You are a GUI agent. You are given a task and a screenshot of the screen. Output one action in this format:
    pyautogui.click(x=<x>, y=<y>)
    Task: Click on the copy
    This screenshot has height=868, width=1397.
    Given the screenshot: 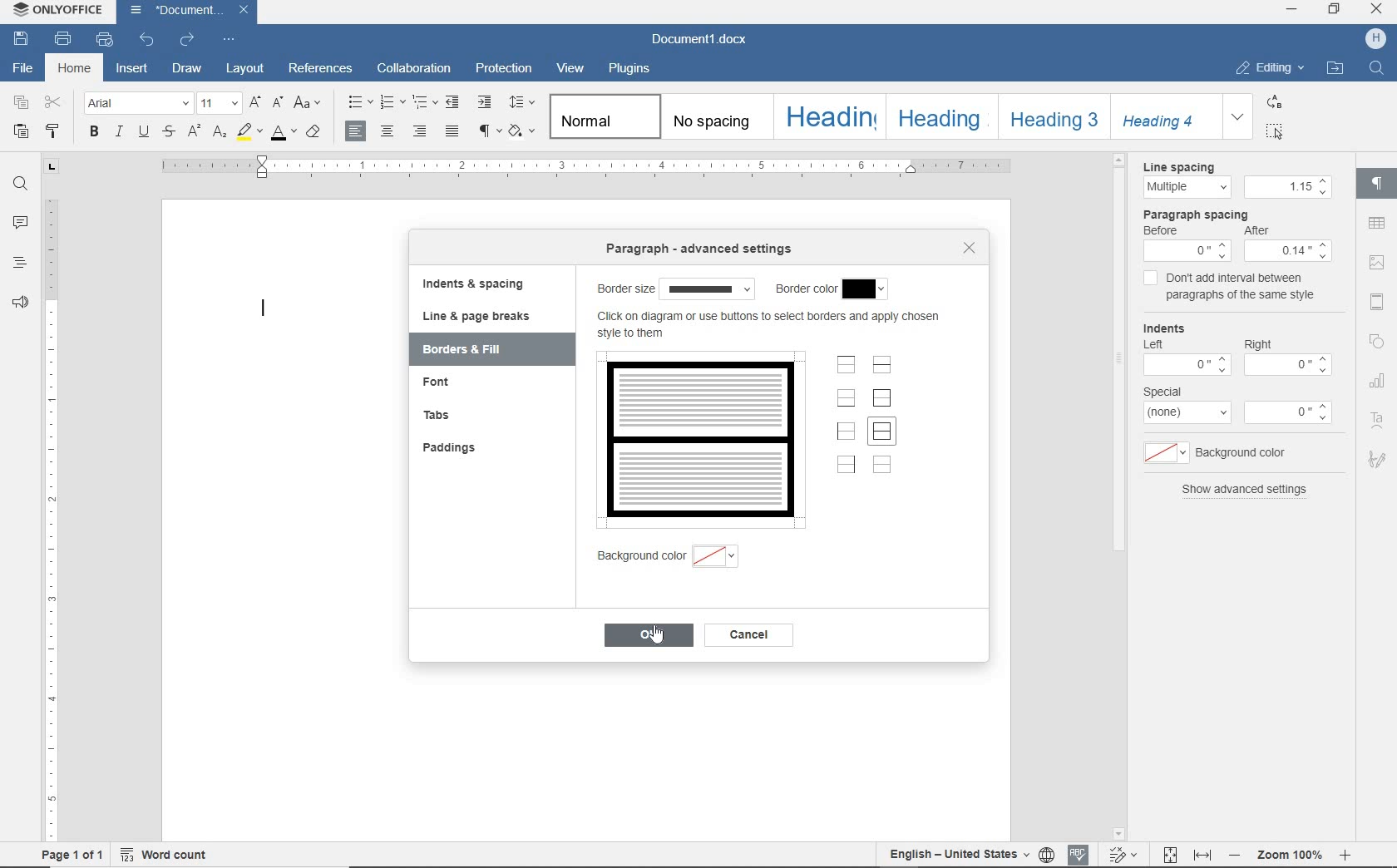 What is the action you would take?
    pyautogui.click(x=21, y=105)
    